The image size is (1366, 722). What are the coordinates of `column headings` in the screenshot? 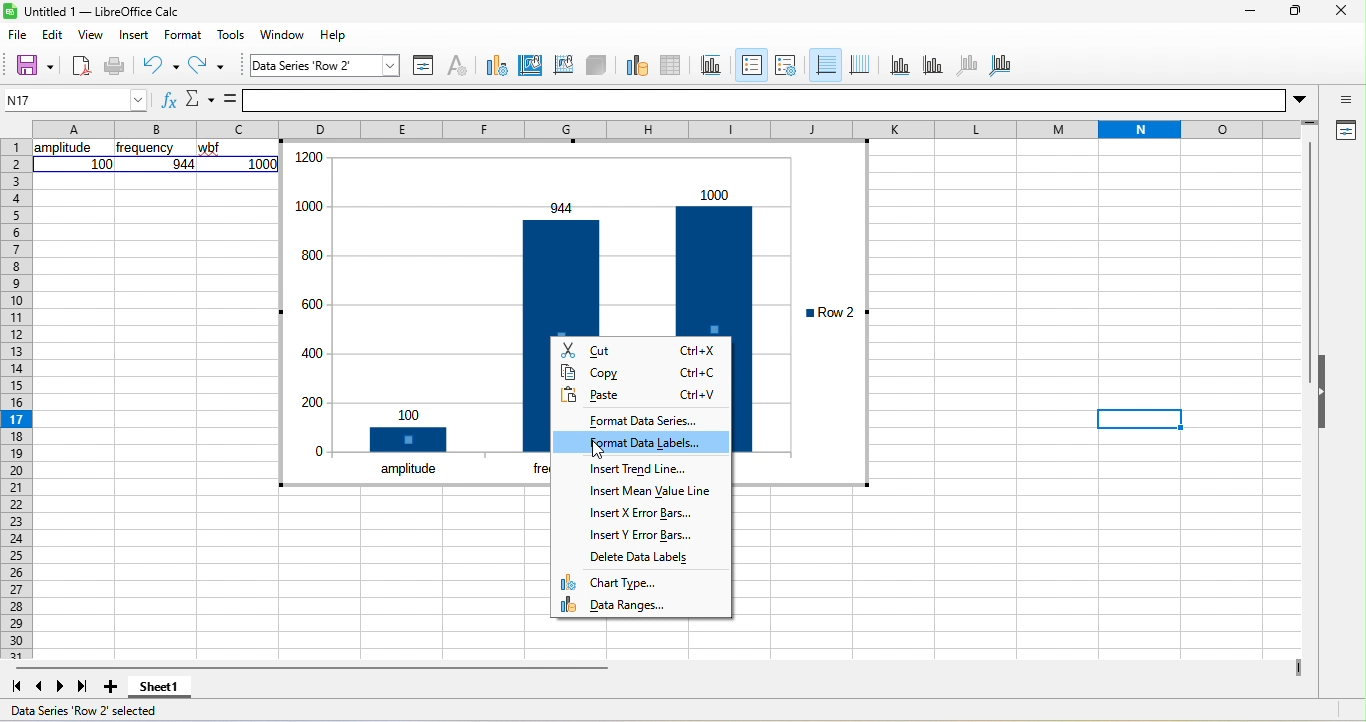 It's located at (679, 127).